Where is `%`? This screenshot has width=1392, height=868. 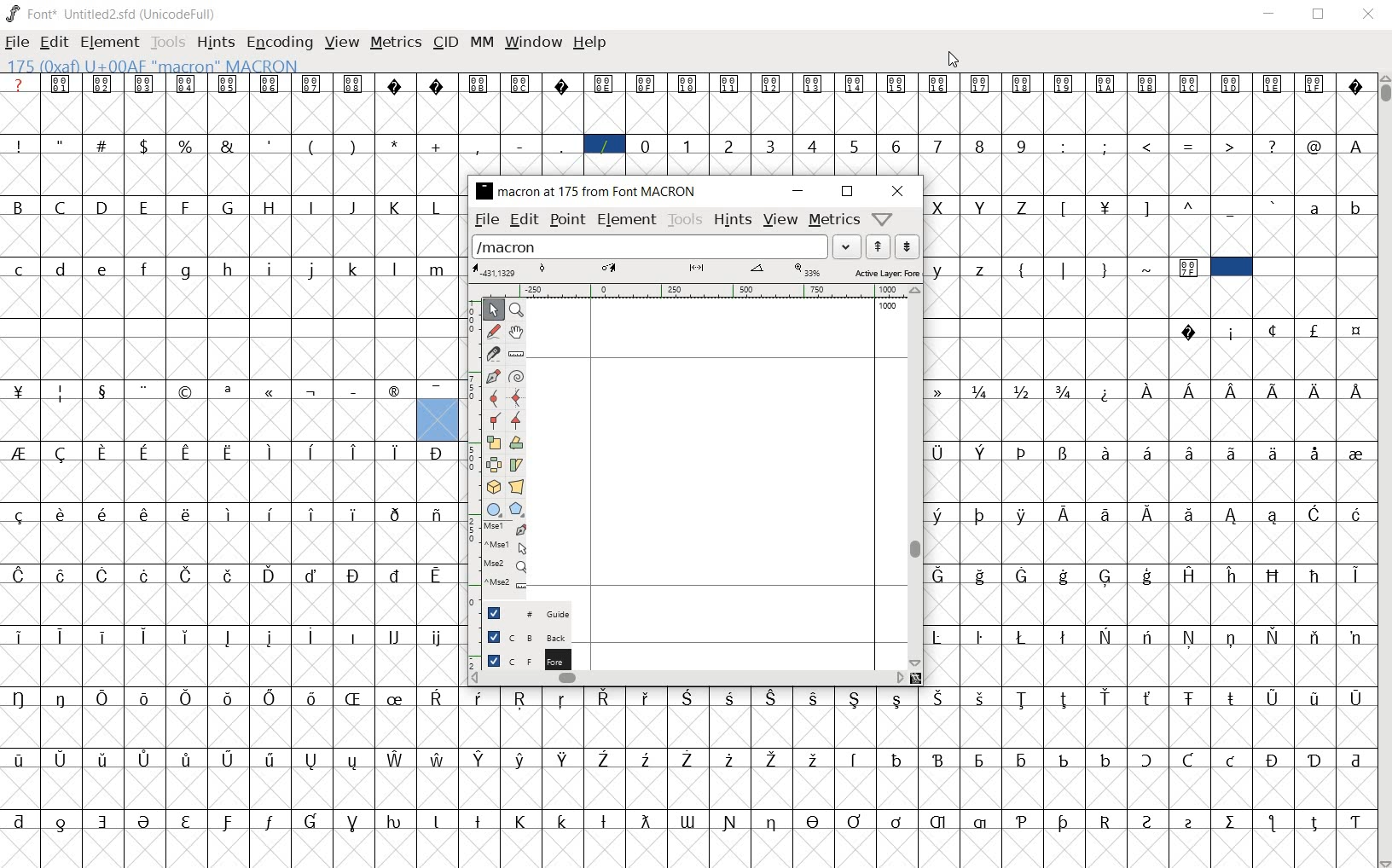 % is located at coordinates (187, 144).